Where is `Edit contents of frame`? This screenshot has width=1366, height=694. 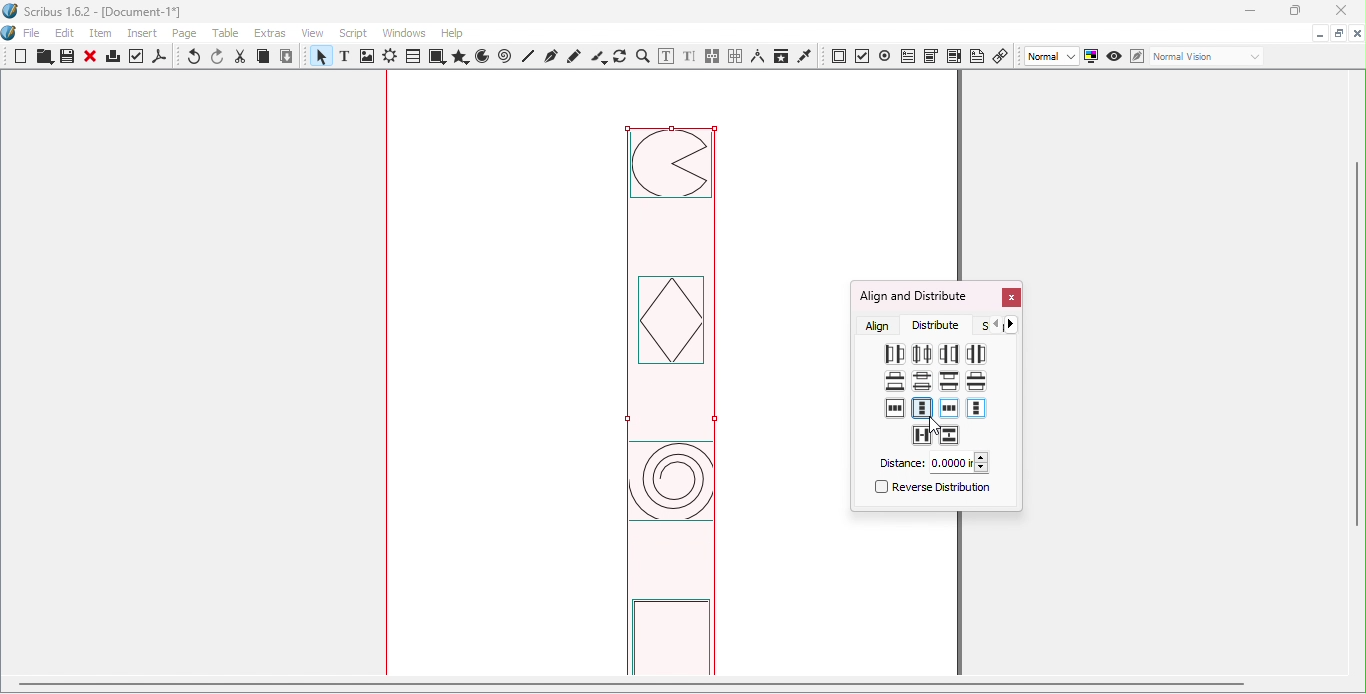
Edit contents of frame is located at coordinates (665, 56).